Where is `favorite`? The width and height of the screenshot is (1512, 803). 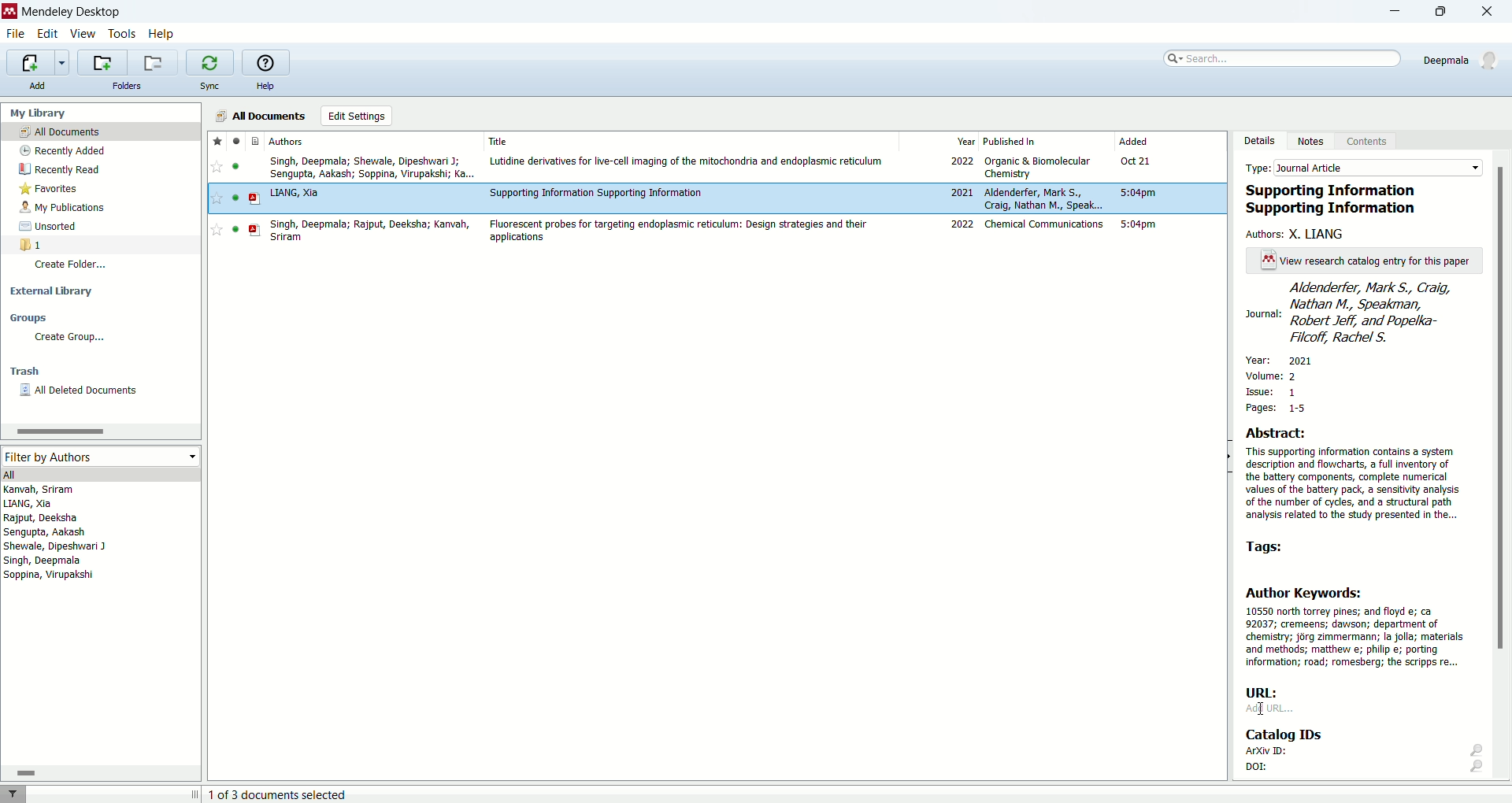
favorite is located at coordinates (217, 198).